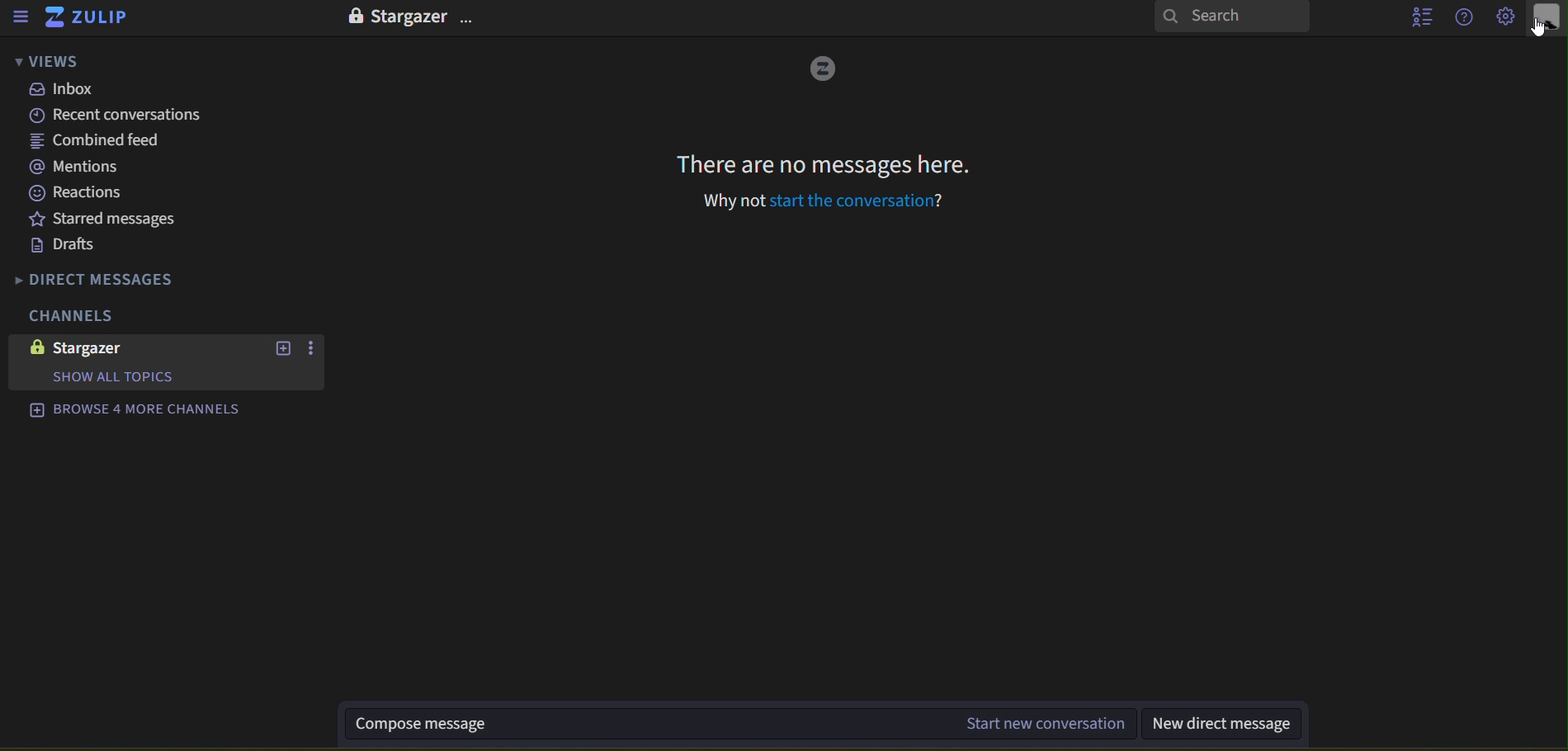 This screenshot has width=1568, height=751. Describe the element at coordinates (1548, 18) in the screenshot. I see `personal topic` at that location.